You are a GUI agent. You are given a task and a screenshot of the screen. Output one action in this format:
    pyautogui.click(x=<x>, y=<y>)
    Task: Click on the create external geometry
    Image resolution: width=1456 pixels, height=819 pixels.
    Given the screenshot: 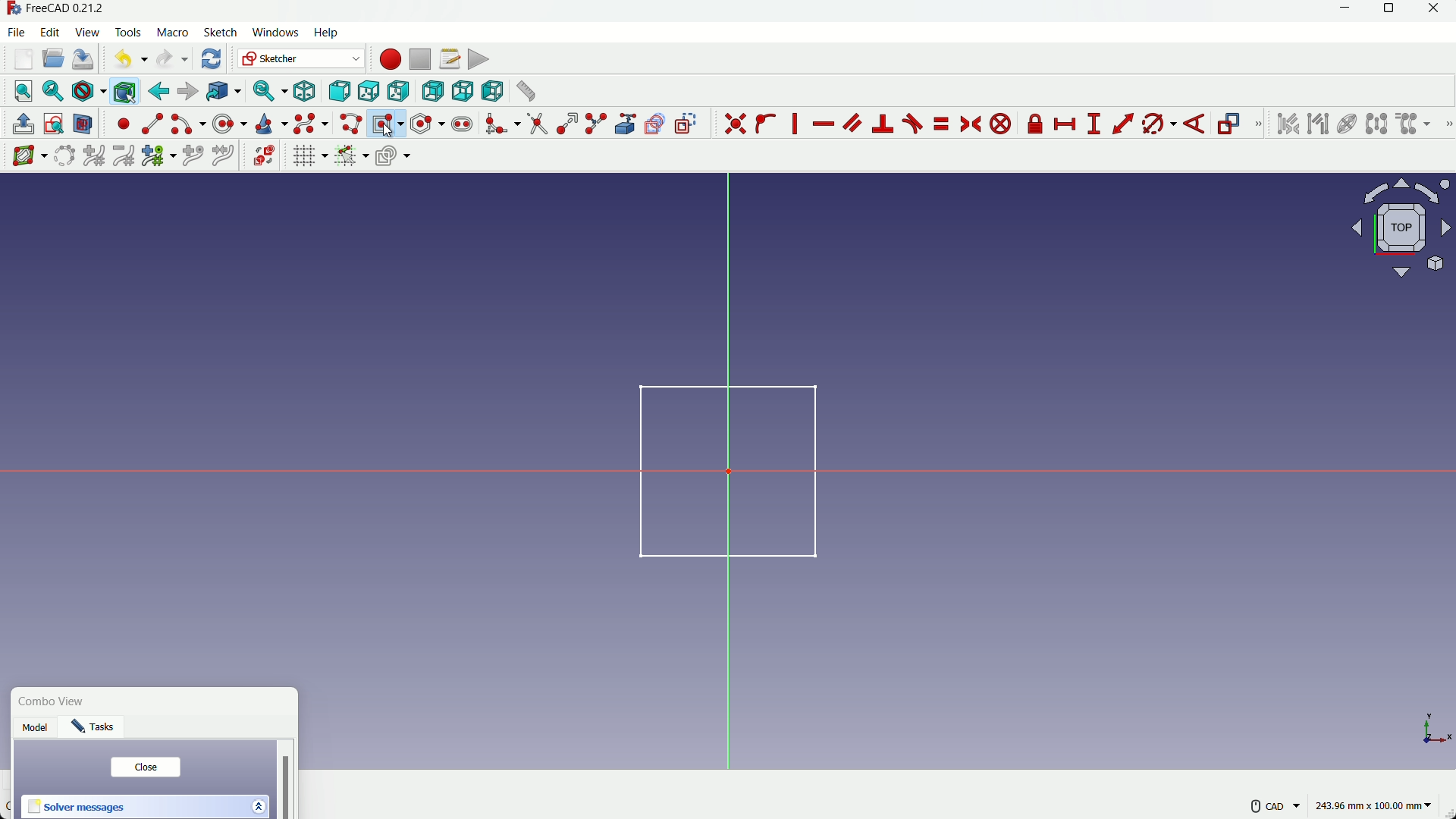 What is the action you would take?
    pyautogui.click(x=627, y=124)
    